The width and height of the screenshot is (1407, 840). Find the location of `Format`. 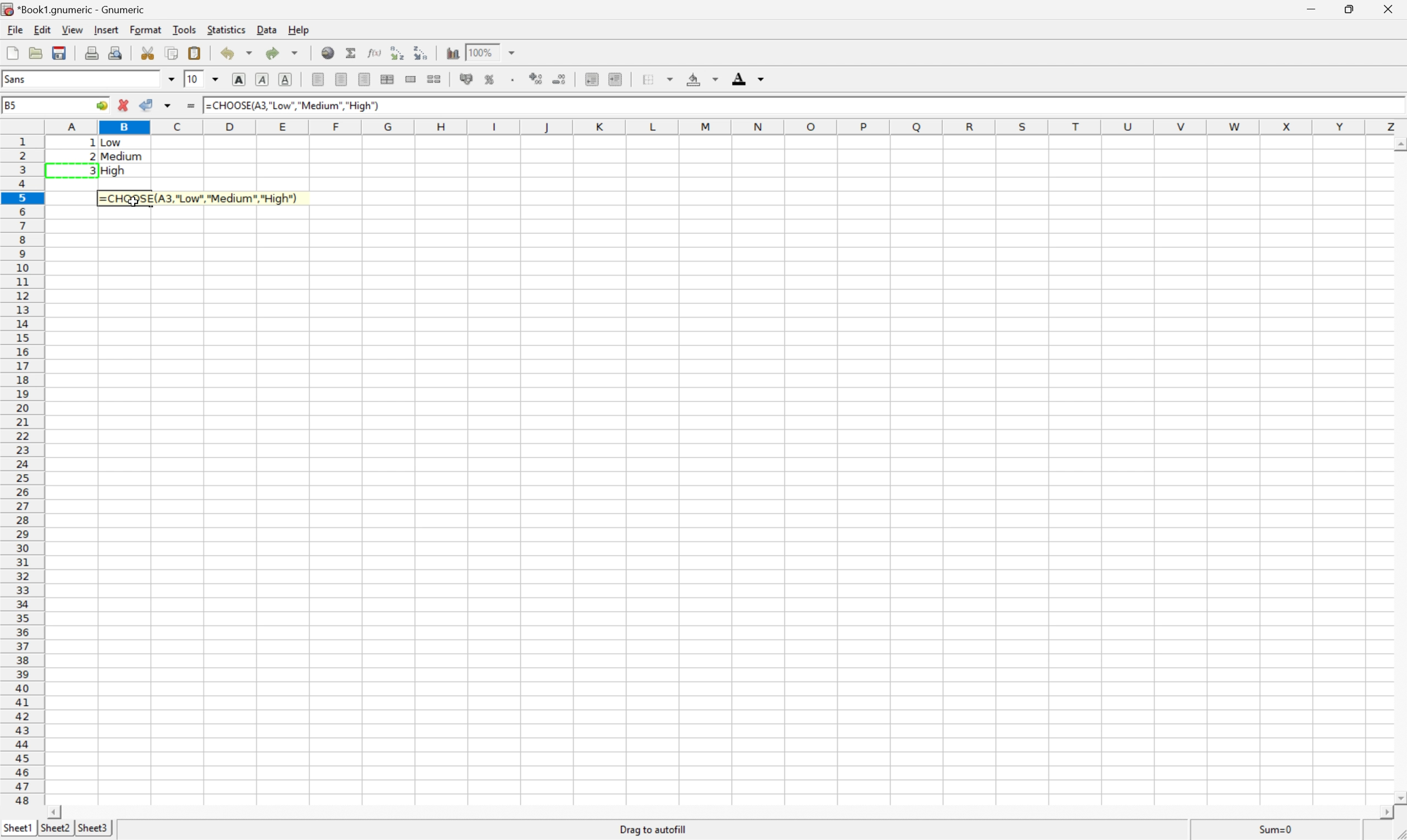

Format is located at coordinates (146, 29).